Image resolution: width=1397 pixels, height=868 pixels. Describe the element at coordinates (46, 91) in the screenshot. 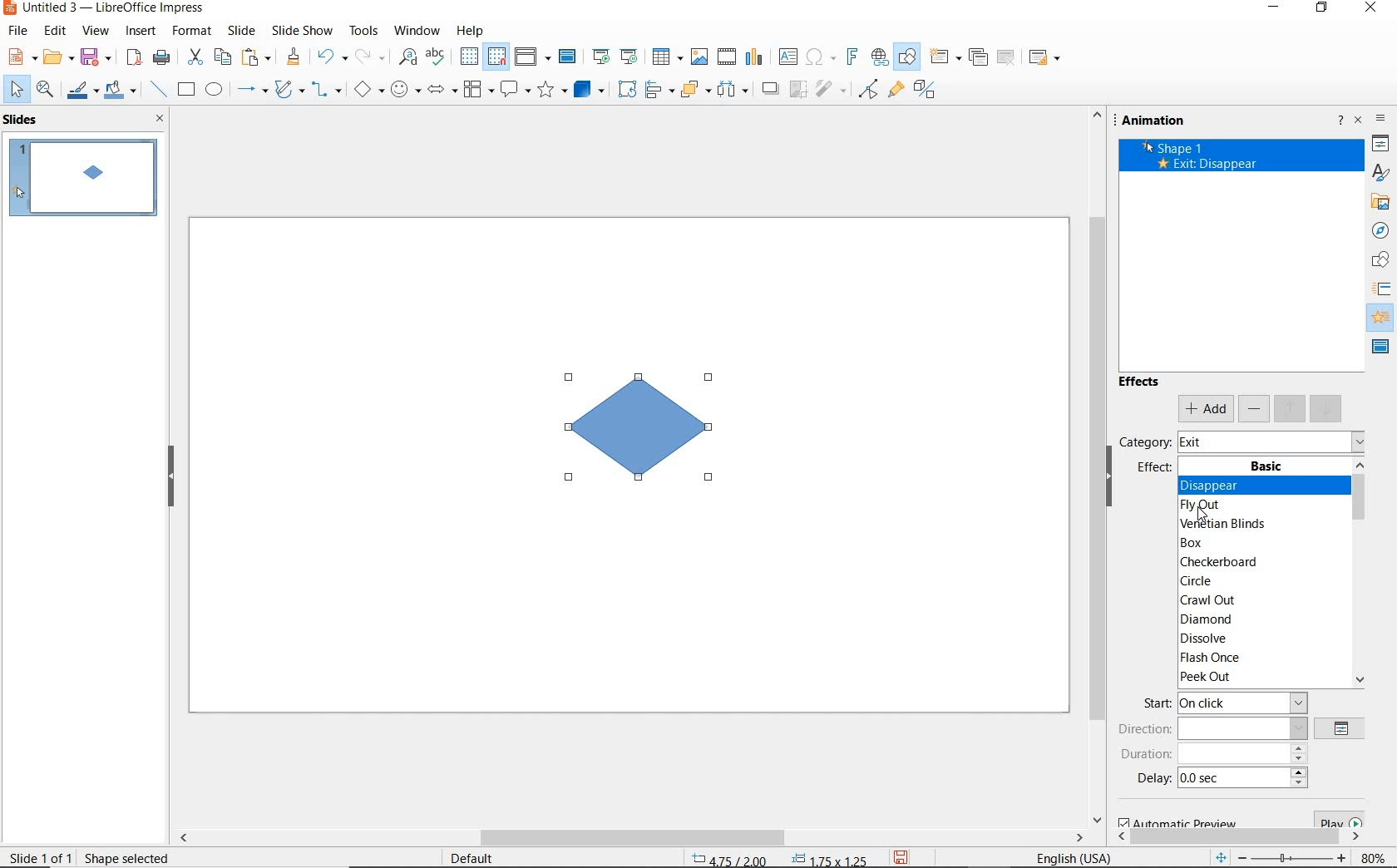

I see `zoom and pan` at that location.